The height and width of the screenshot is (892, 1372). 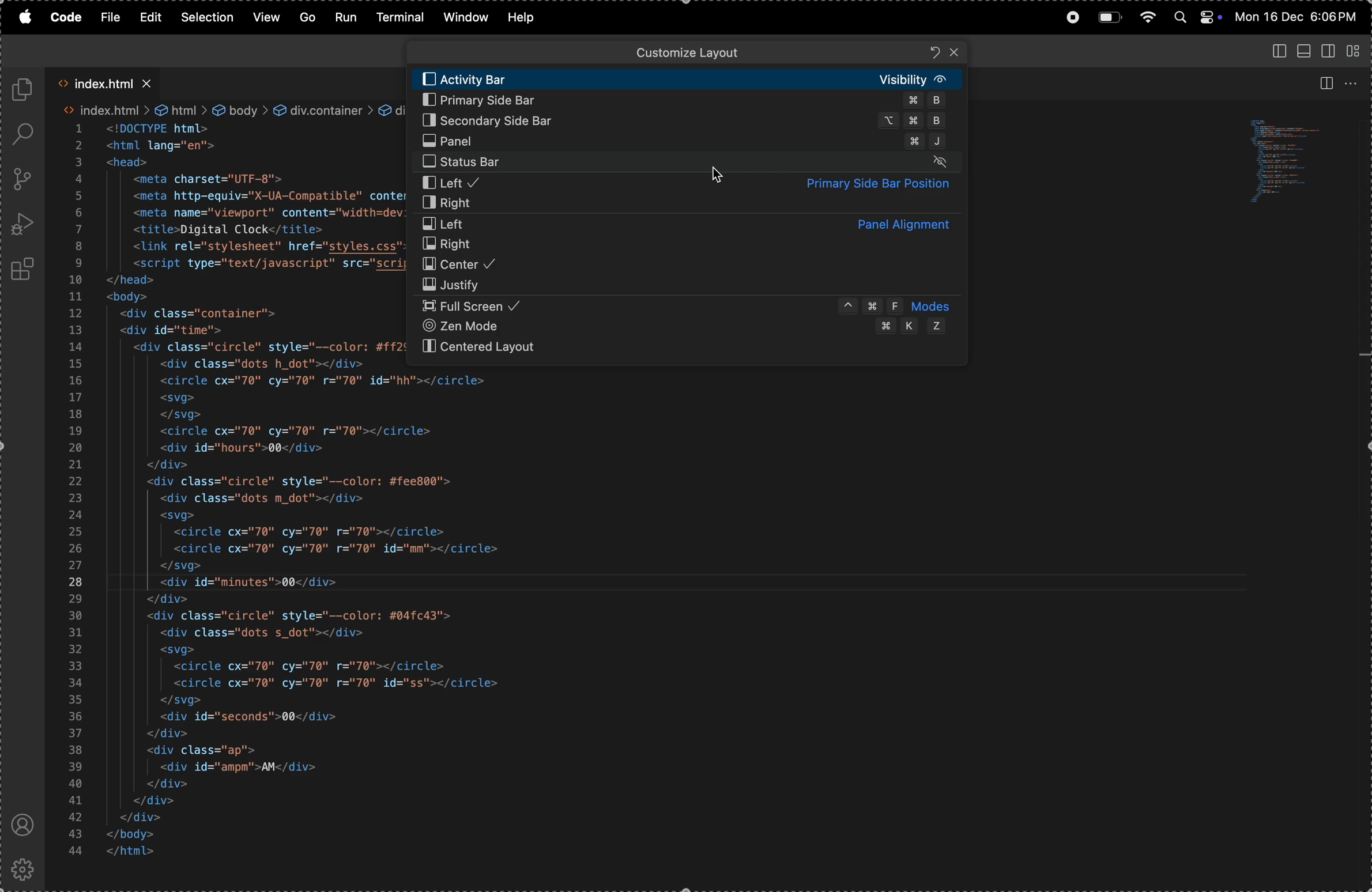 I want to click on center, so click(x=693, y=265).